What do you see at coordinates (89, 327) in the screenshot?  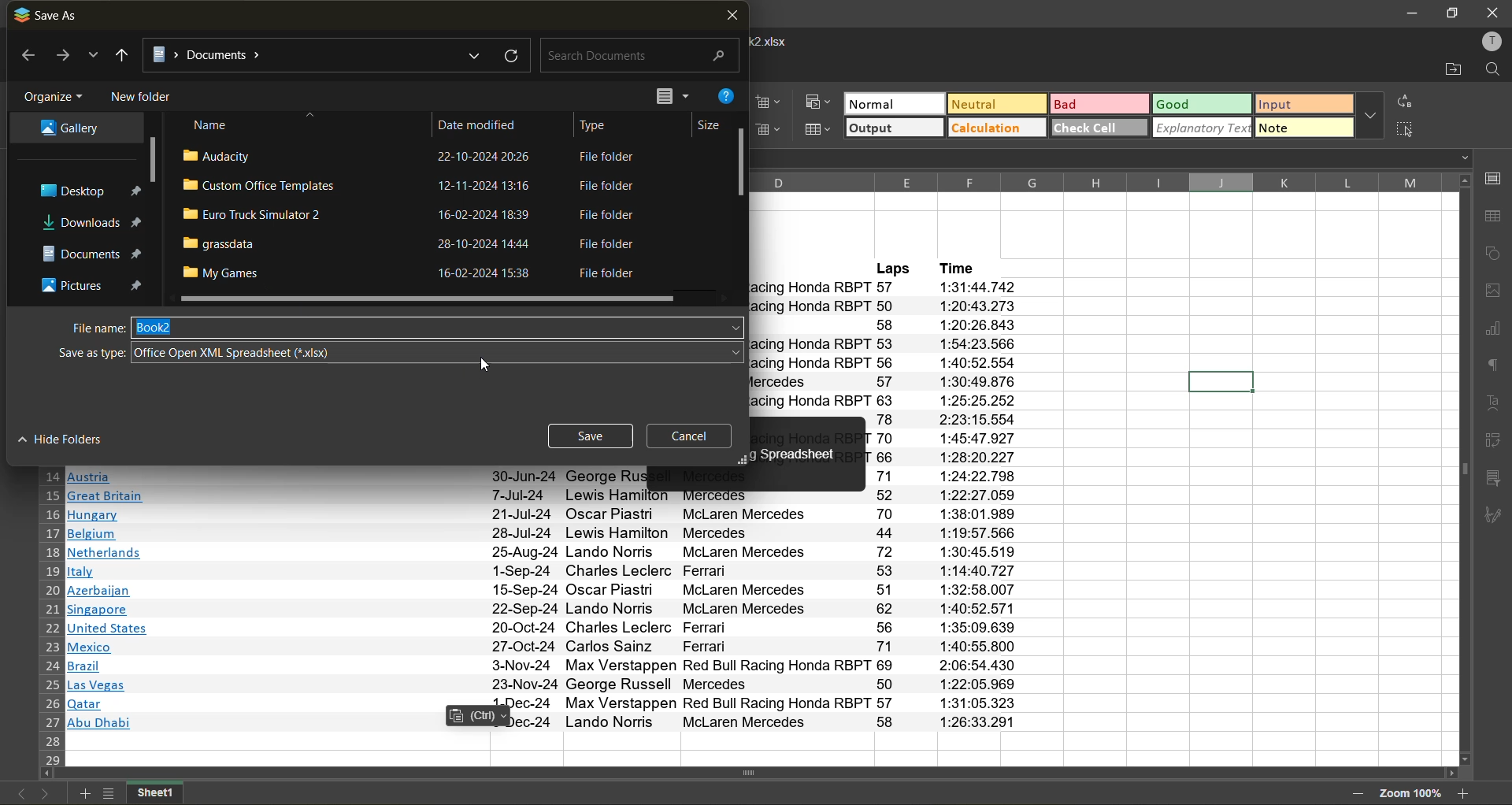 I see `file  name` at bounding box center [89, 327].